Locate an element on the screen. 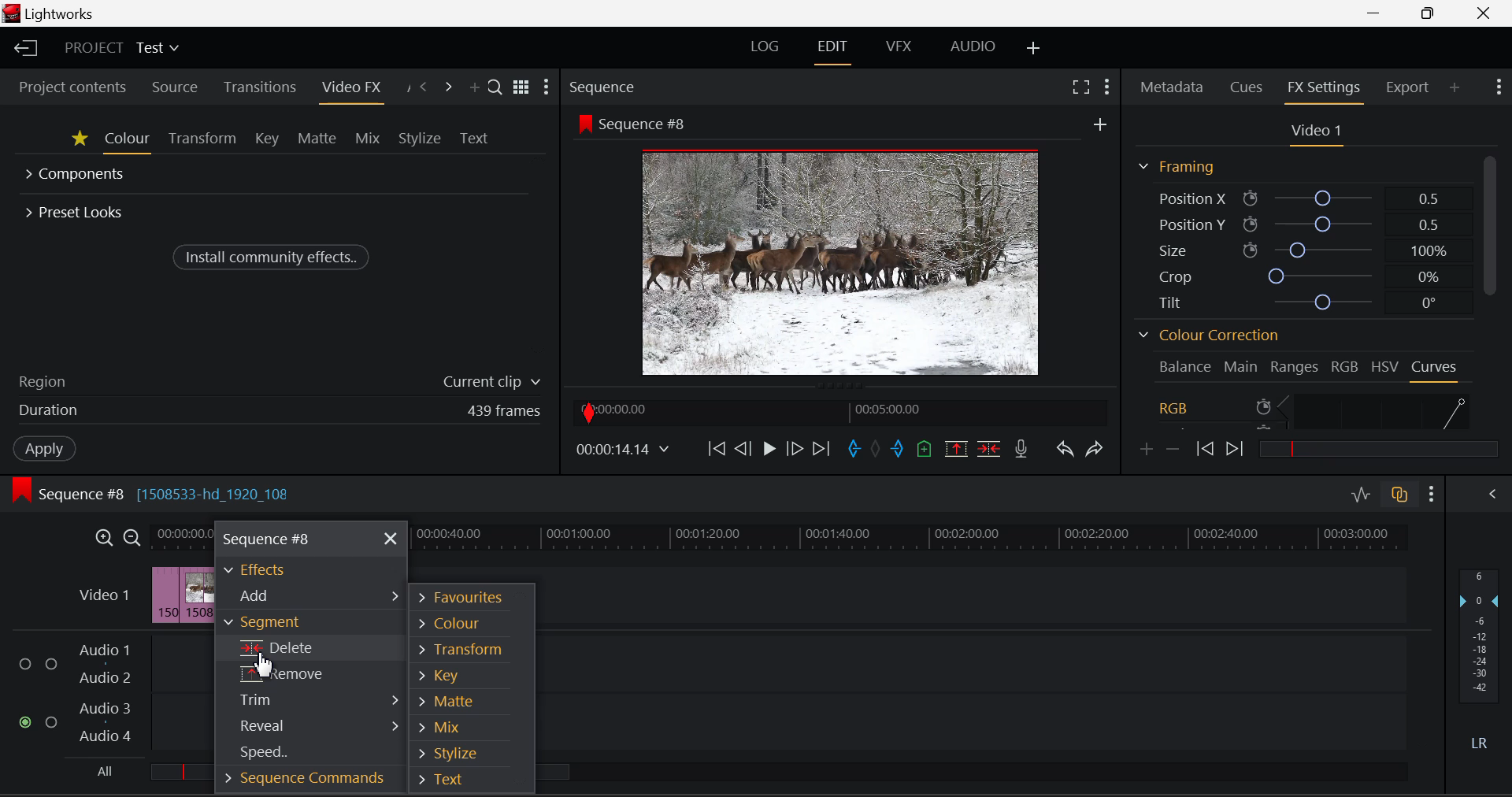  Key is located at coordinates (462, 675).